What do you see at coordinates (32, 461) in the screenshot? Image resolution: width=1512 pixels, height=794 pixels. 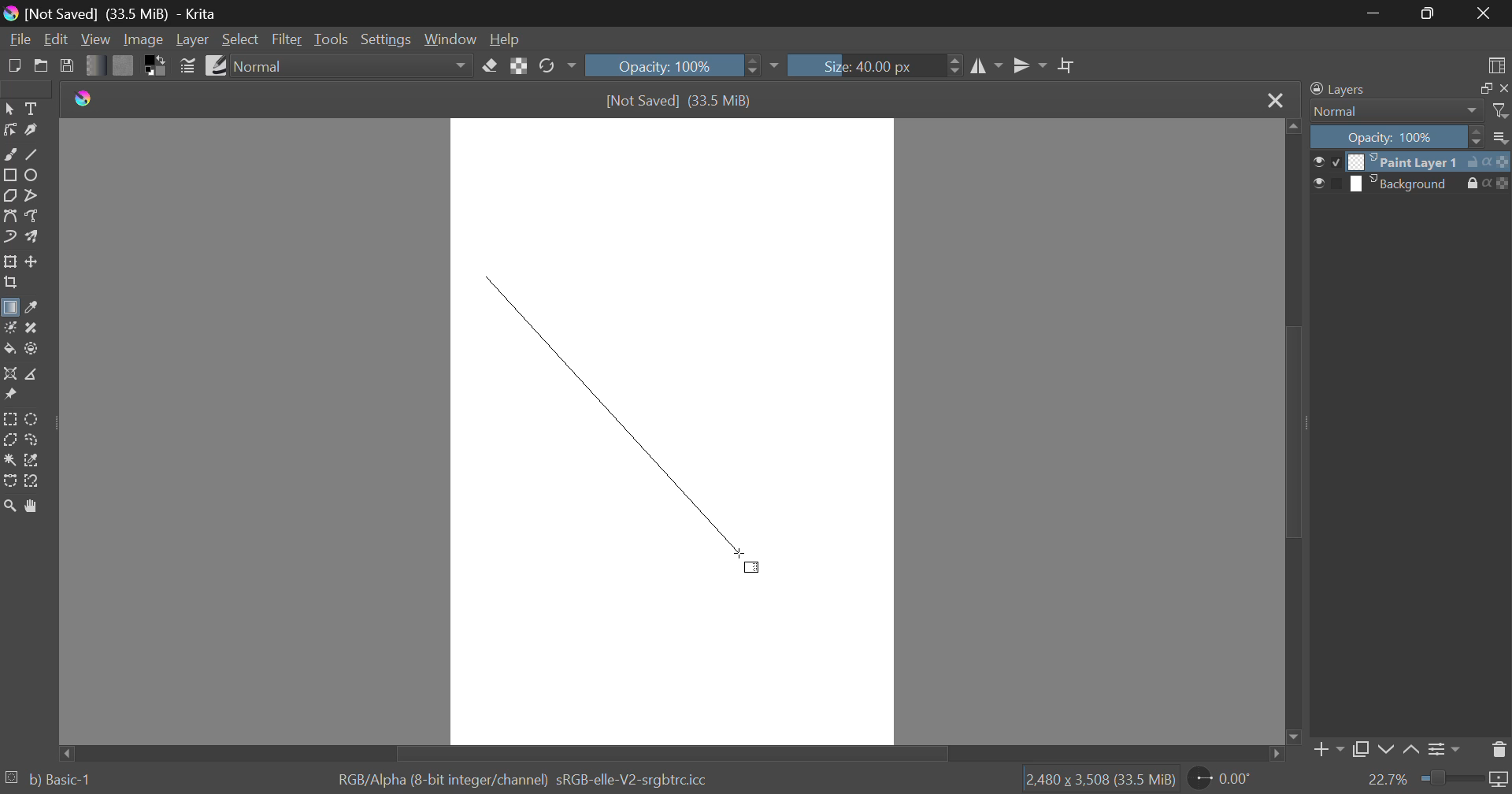 I see `Similar Color Selection` at bounding box center [32, 461].